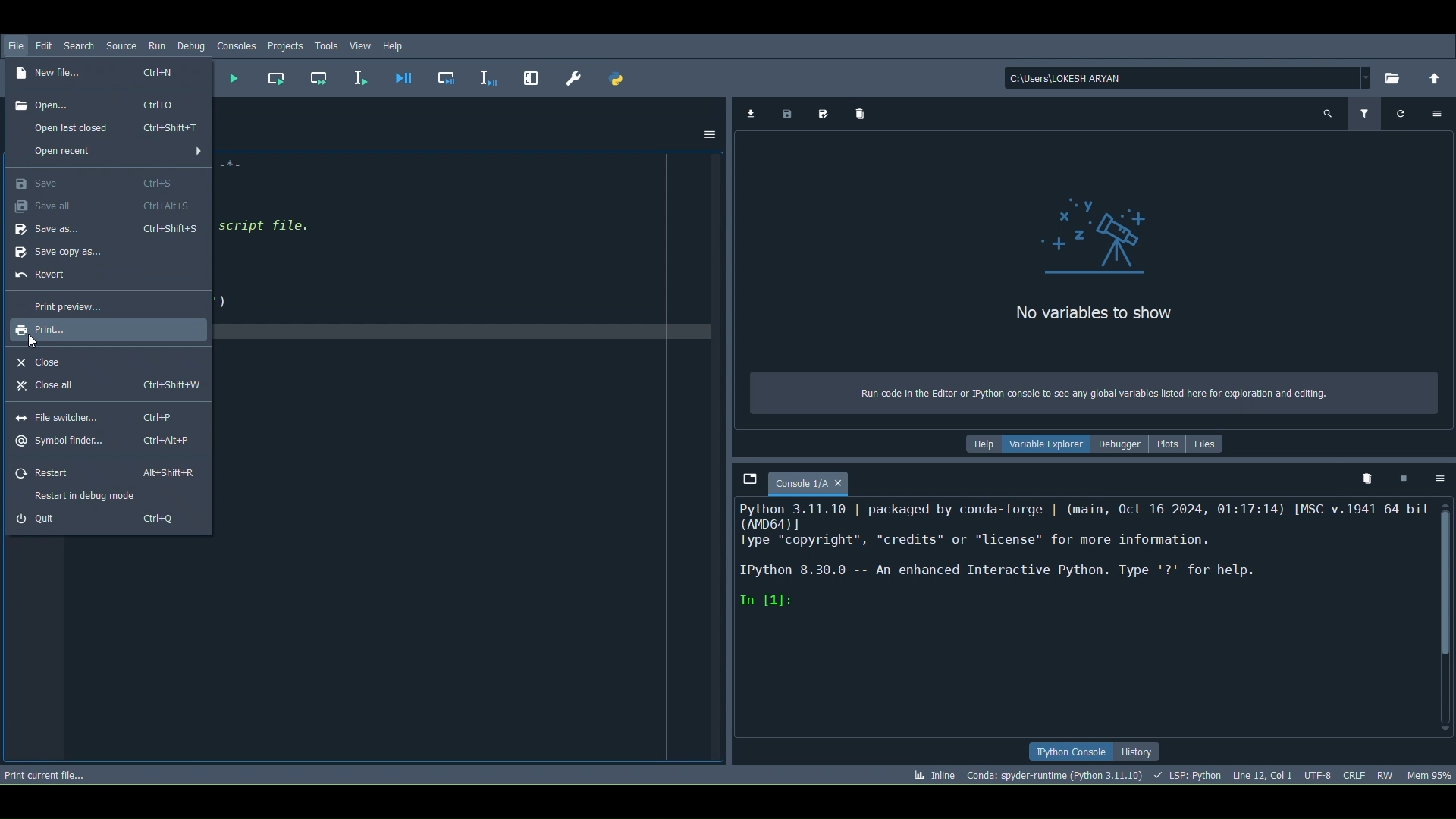 This screenshot has width=1456, height=819. What do you see at coordinates (1436, 115) in the screenshot?
I see `Options` at bounding box center [1436, 115].